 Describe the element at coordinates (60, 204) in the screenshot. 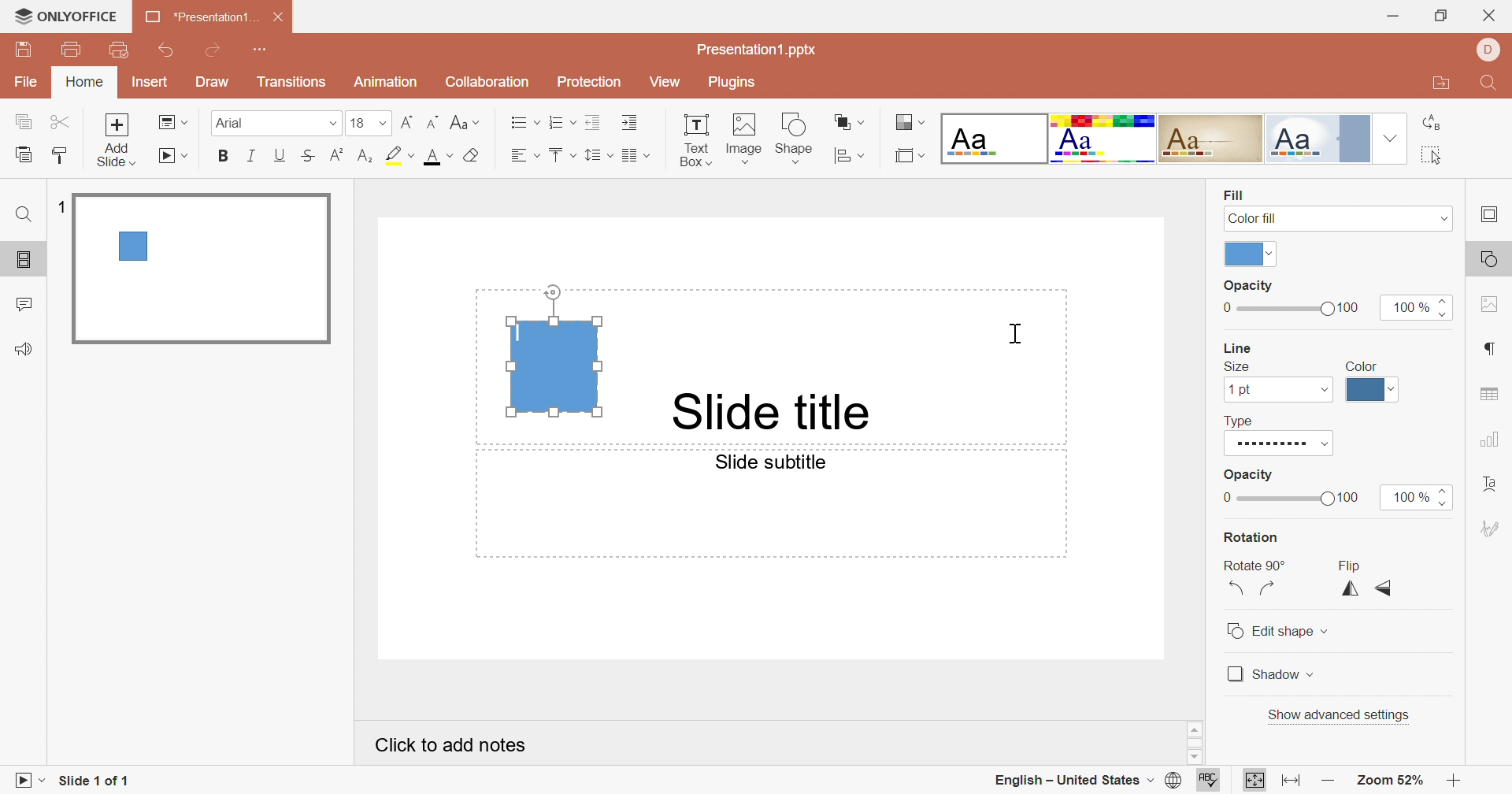

I see `1` at that location.